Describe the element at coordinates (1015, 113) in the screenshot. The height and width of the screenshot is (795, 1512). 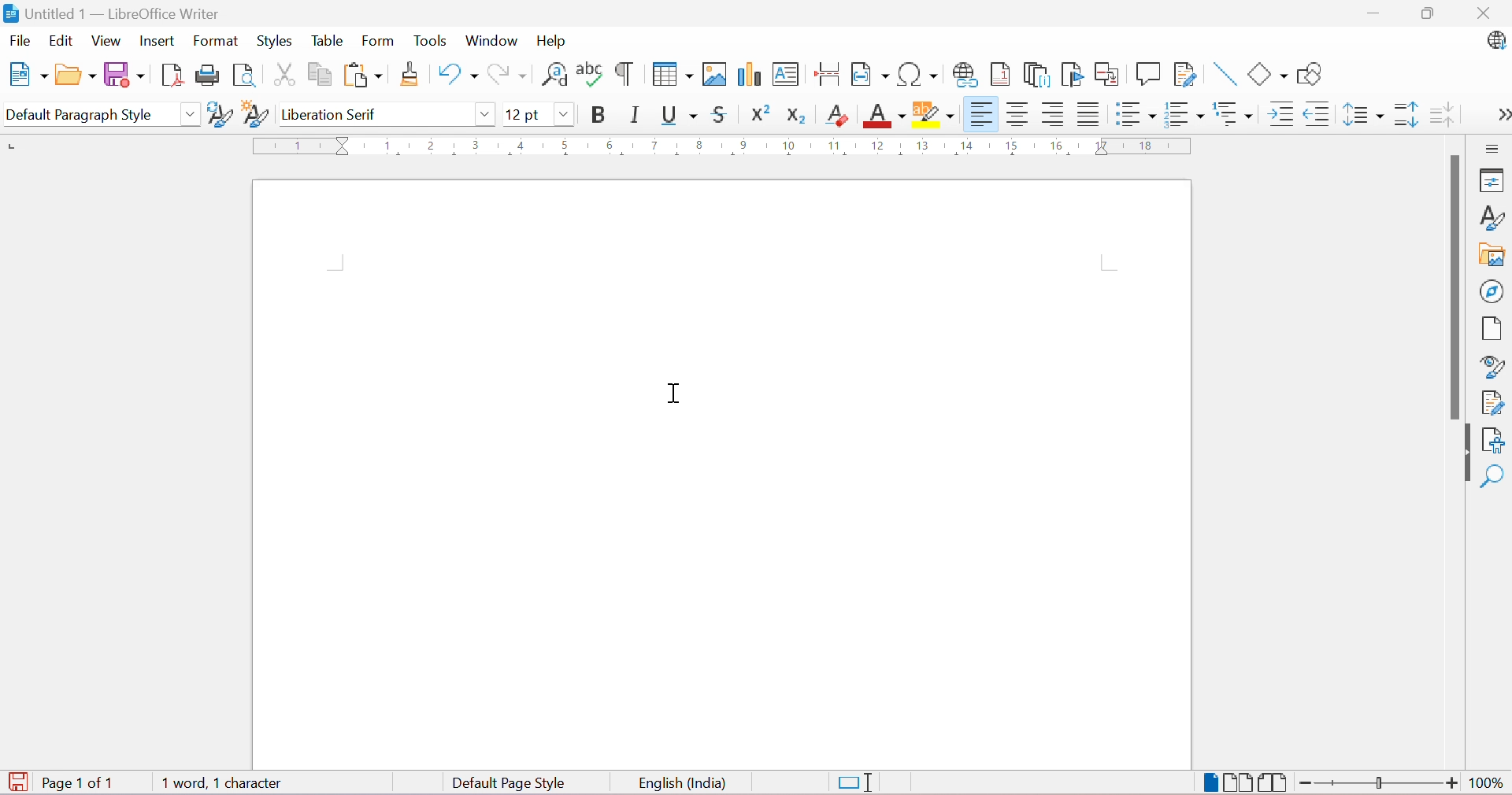
I see `Align Center` at that location.